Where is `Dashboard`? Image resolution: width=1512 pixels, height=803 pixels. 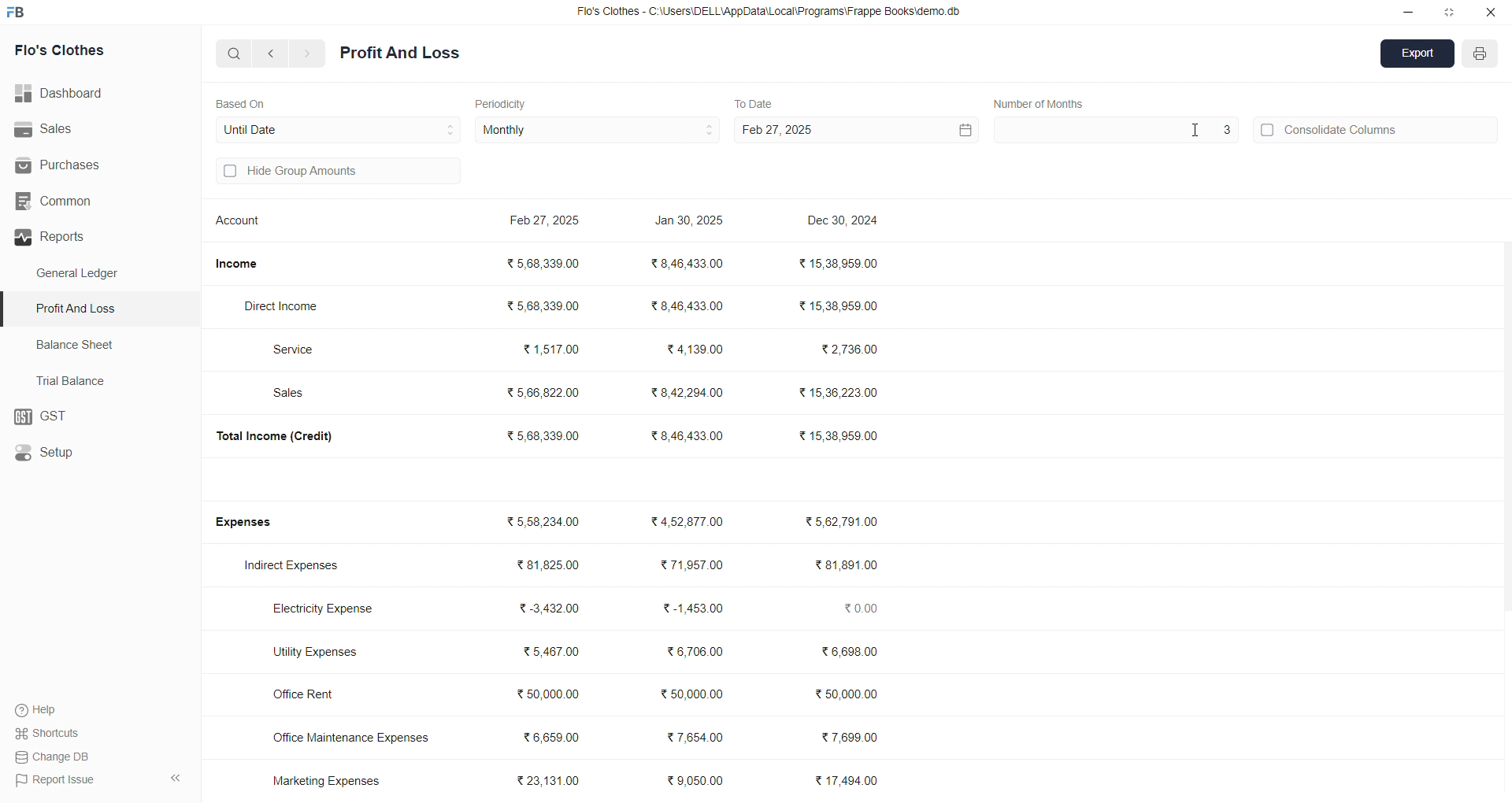 Dashboard is located at coordinates (67, 94).